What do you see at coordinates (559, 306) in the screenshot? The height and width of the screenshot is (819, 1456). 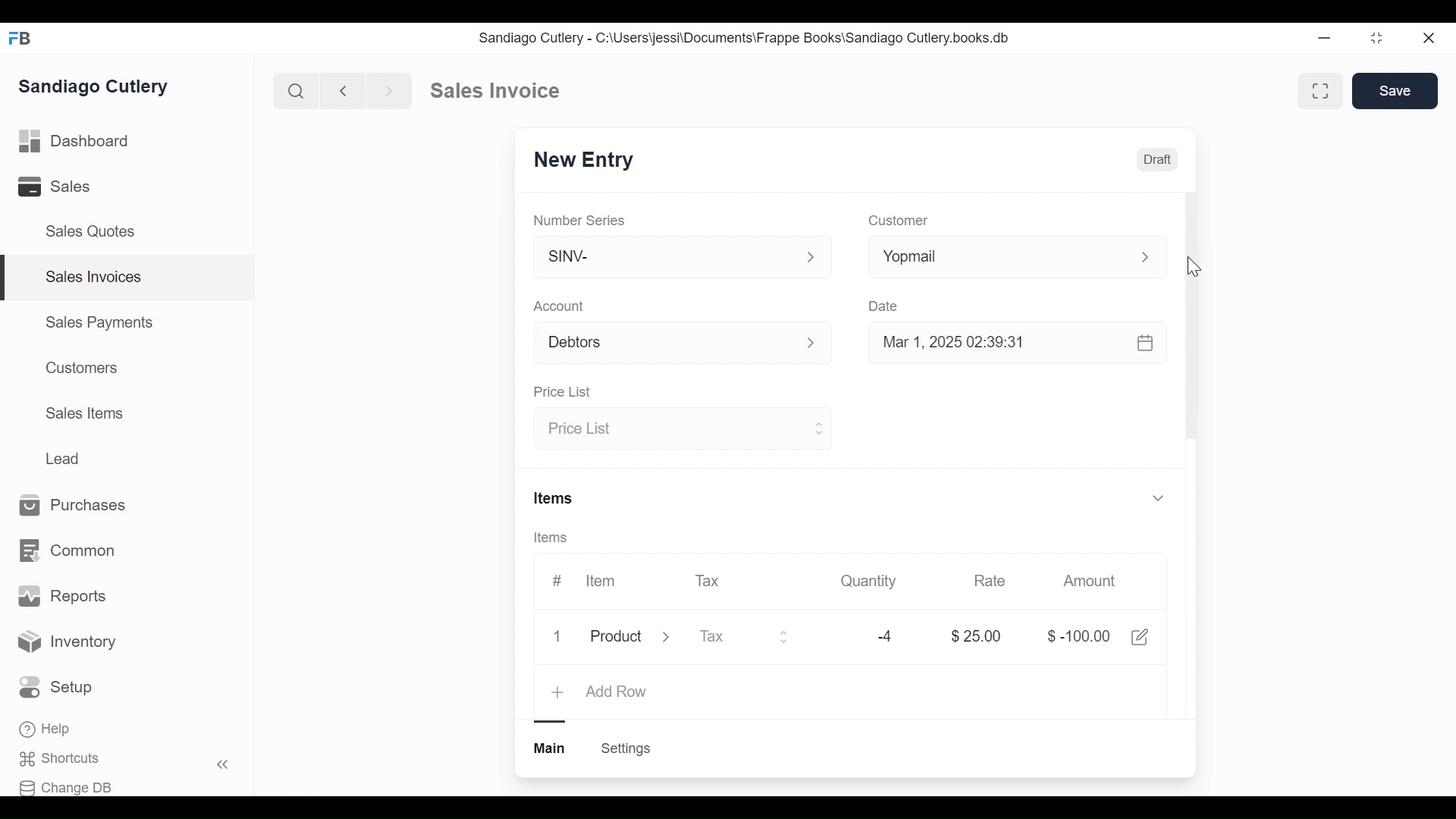 I see `Account` at bounding box center [559, 306].